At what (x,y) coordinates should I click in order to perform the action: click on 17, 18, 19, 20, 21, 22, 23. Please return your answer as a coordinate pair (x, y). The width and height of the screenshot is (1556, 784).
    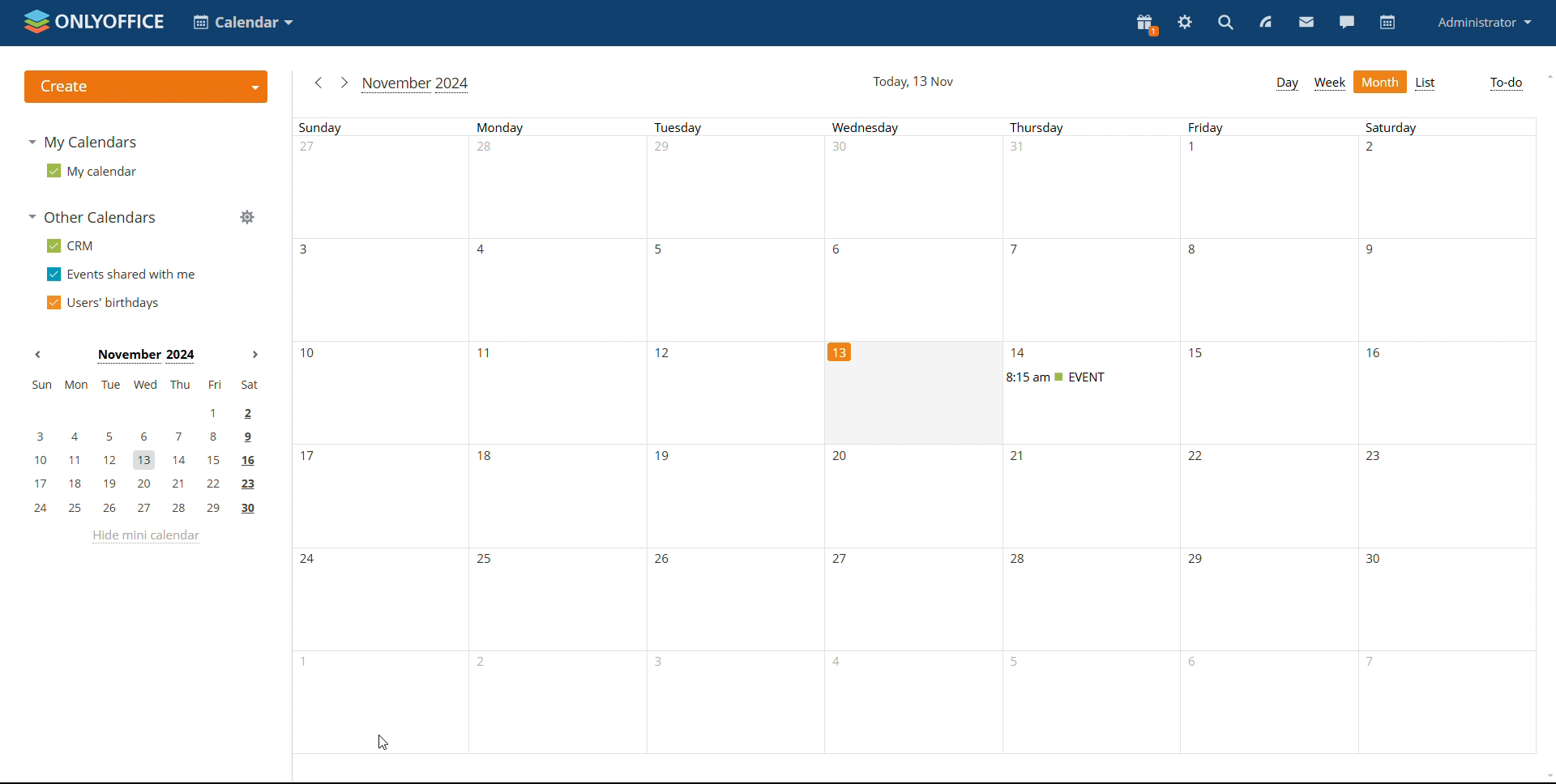
    Looking at the image, I should click on (147, 484).